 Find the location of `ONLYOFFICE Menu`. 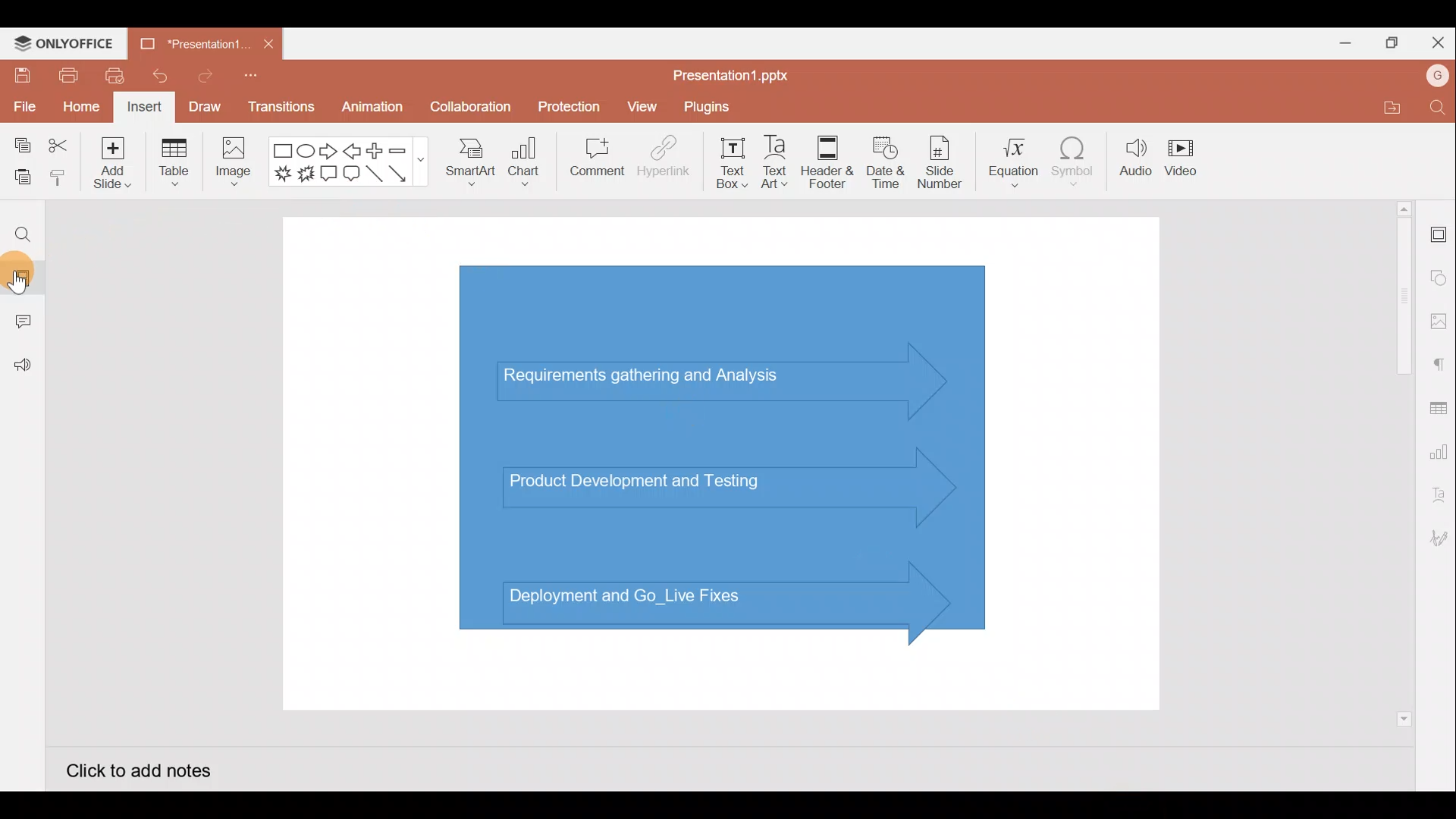

ONLYOFFICE Menu is located at coordinates (72, 44).